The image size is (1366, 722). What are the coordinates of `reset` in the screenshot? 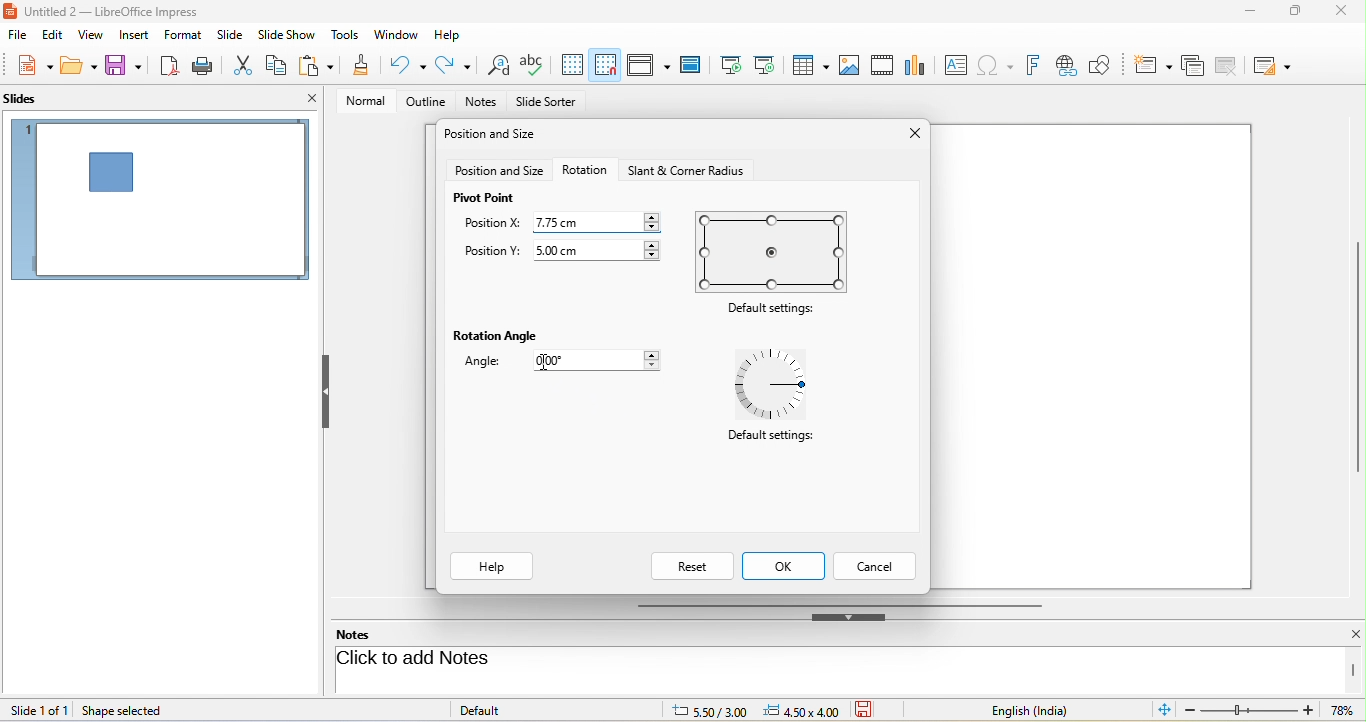 It's located at (691, 566).